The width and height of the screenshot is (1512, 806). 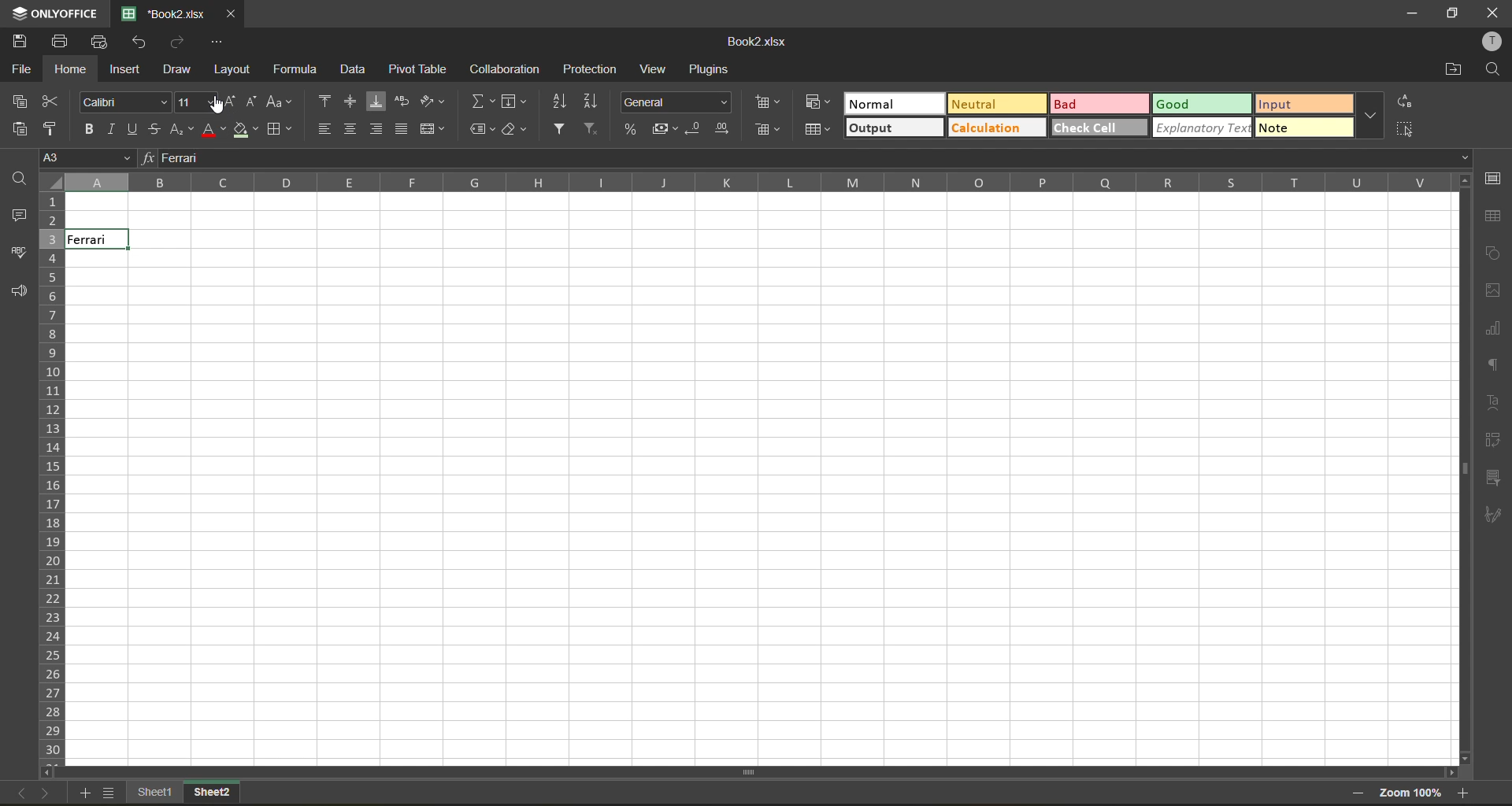 What do you see at coordinates (179, 42) in the screenshot?
I see `redo` at bounding box center [179, 42].